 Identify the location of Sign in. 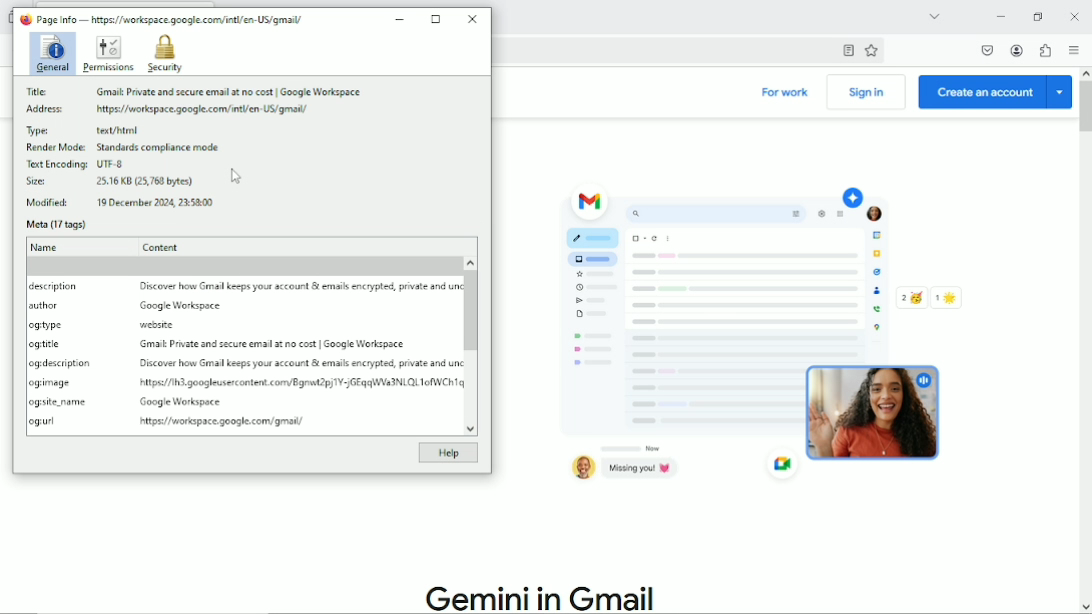
(869, 93).